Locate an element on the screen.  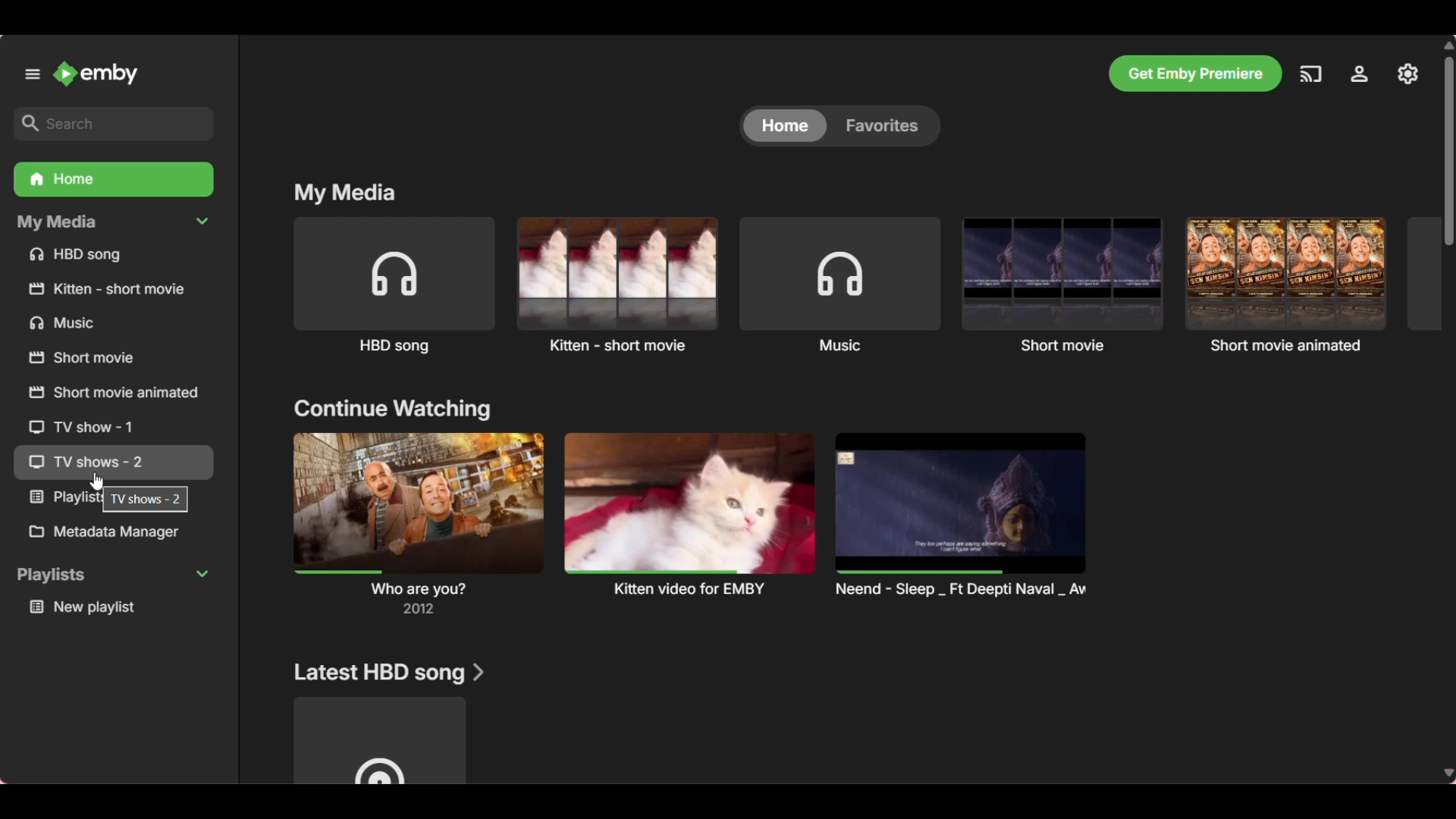
Home folder, current selection highlighted is located at coordinates (113, 180).